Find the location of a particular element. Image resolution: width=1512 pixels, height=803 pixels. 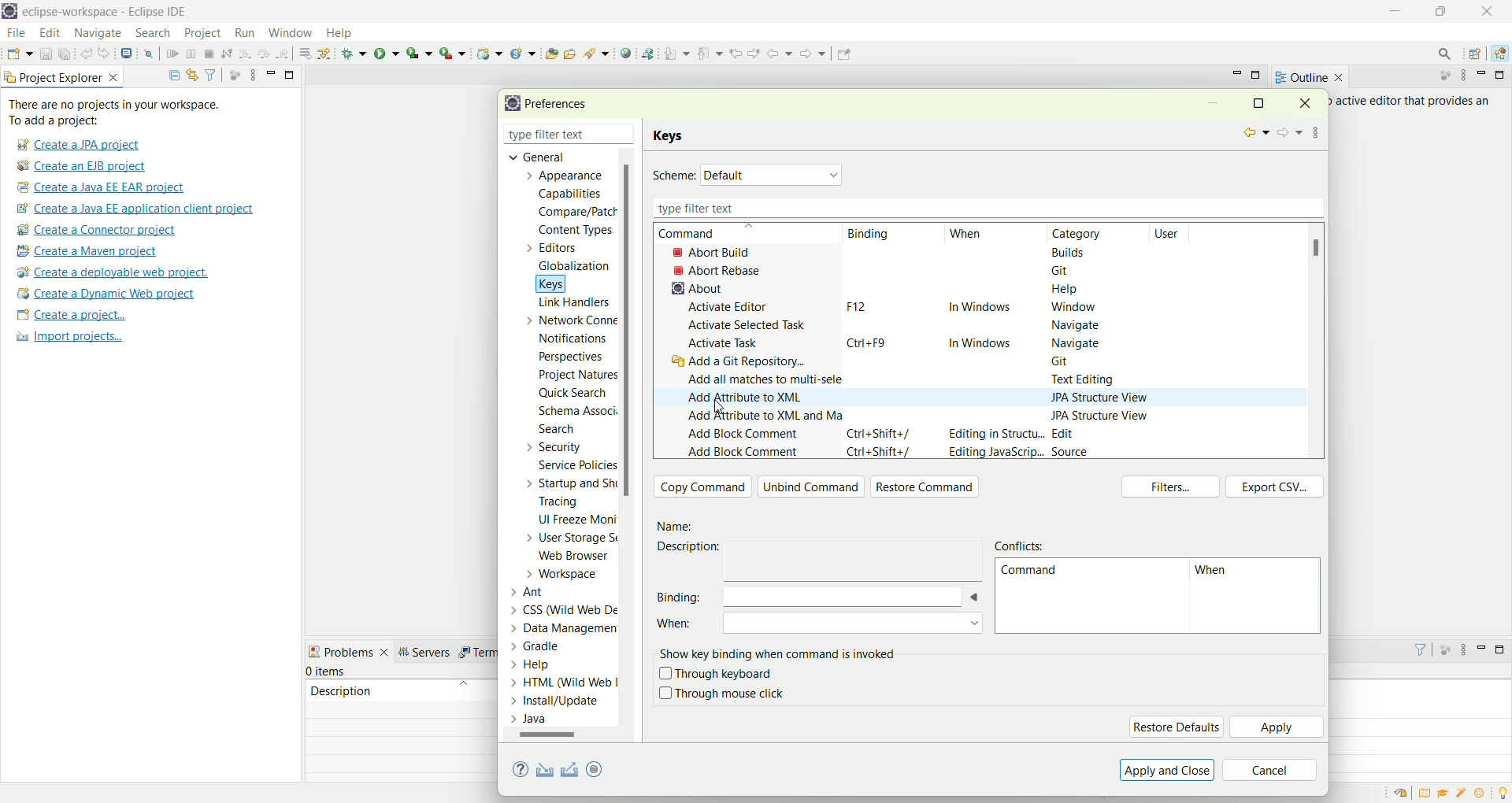

git is located at coordinates (1065, 270).